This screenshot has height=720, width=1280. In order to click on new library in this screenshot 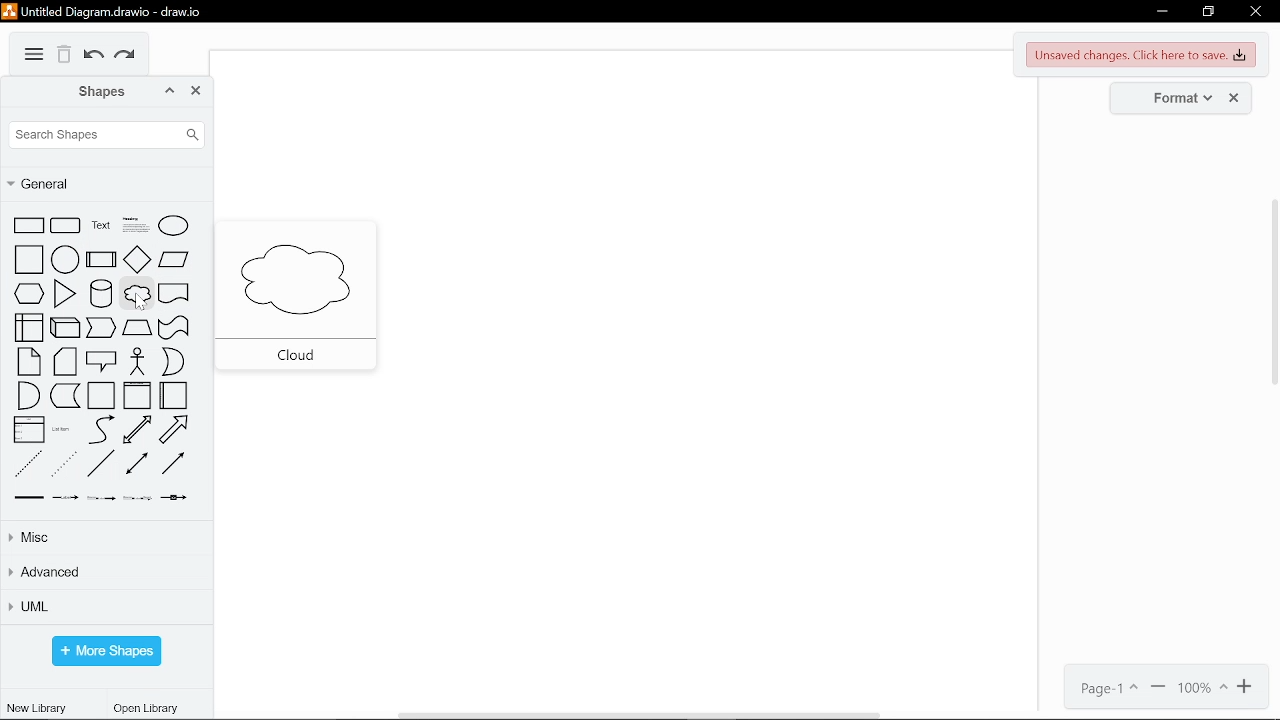, I will do `click(37, 708)`.